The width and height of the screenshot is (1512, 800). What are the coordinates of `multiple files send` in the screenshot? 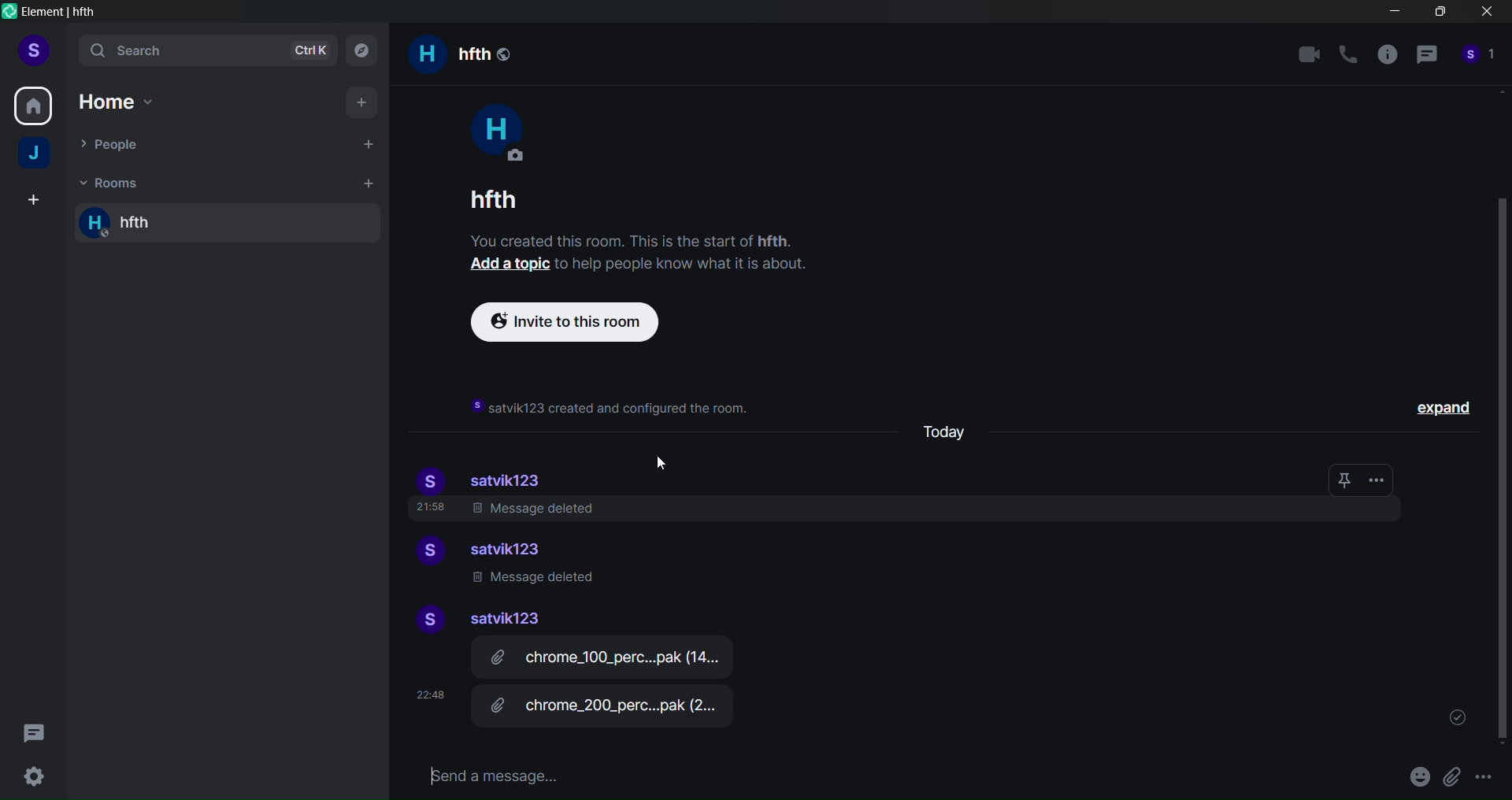 It's located at (613, 687).